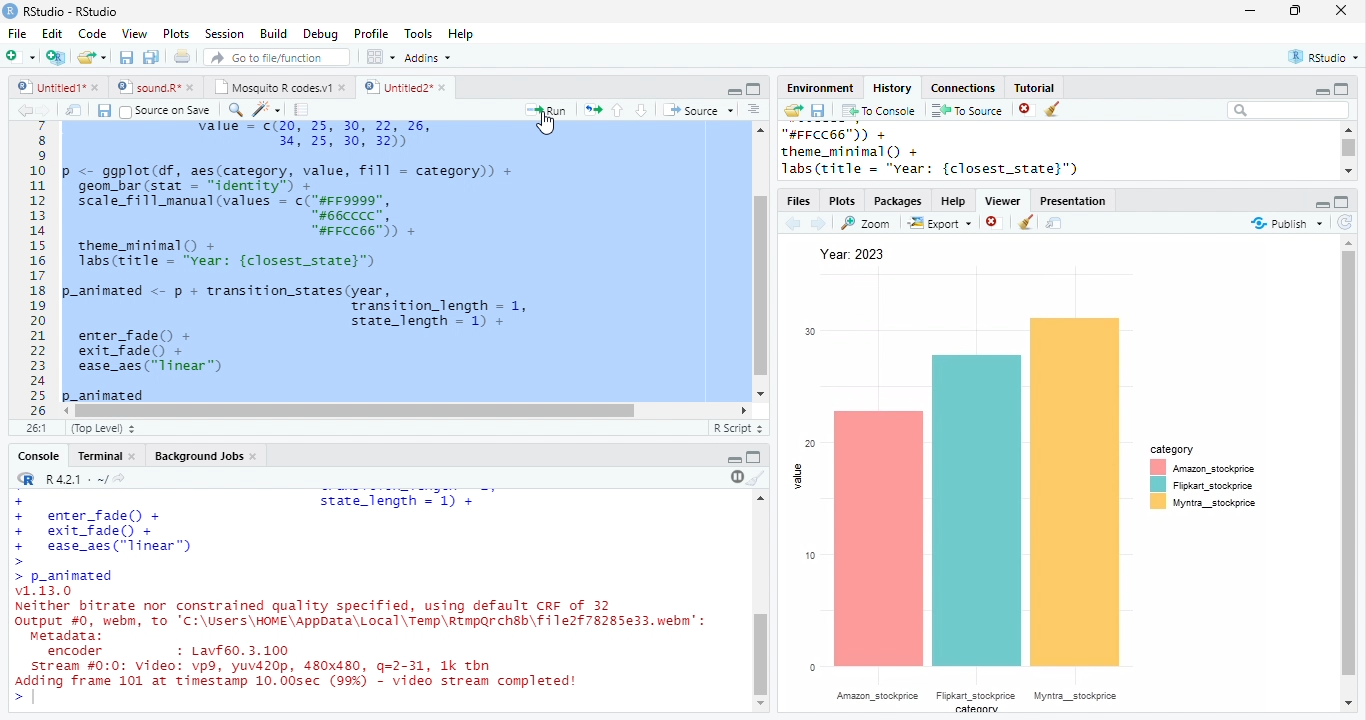 This screenshot has width=1366, height=720. Describe the element at coordinates (756, 478) in the screenshot. I see `clear` at that location.